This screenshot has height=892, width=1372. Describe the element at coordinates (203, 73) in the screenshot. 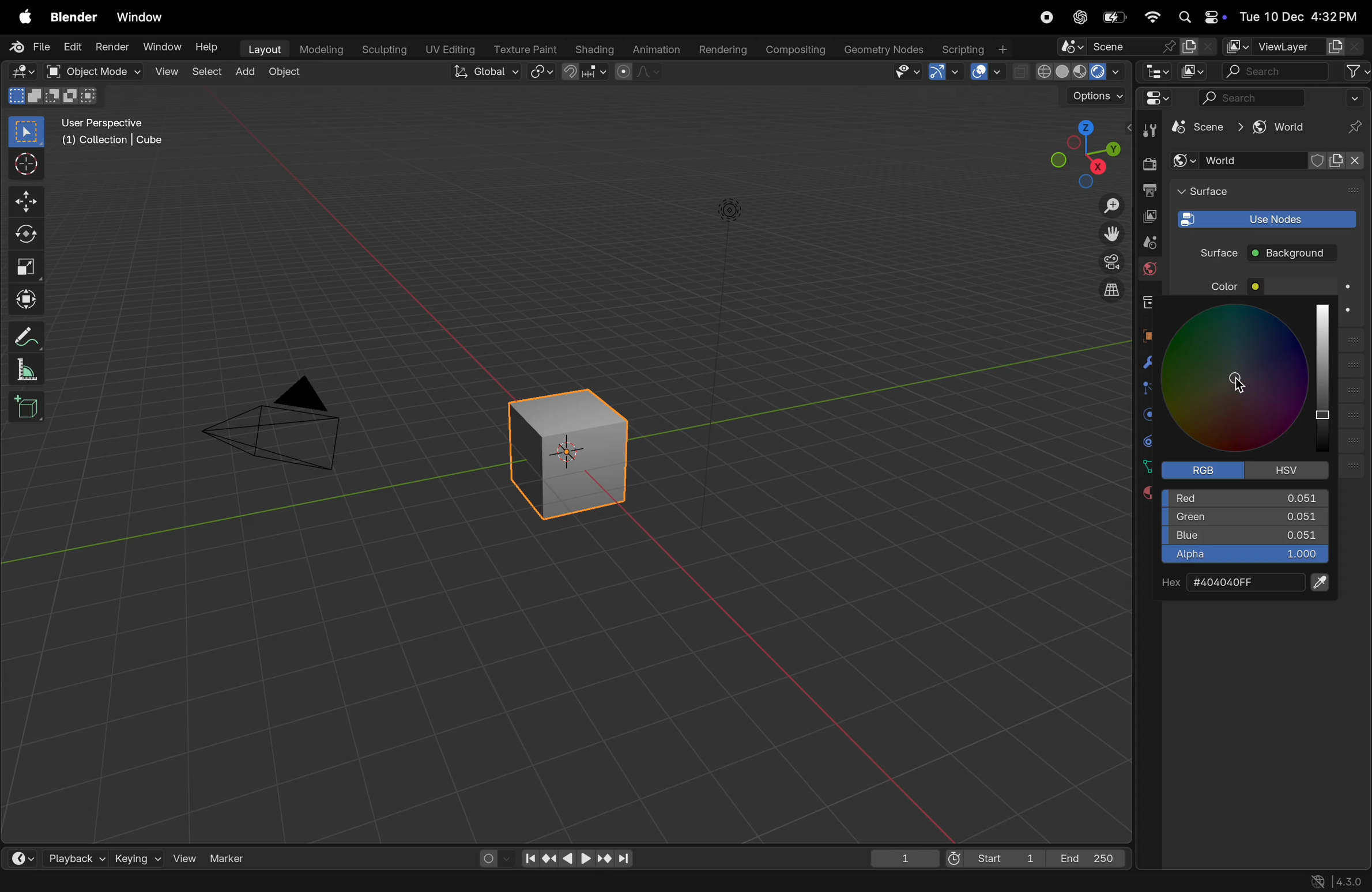

I see `select` at that location.